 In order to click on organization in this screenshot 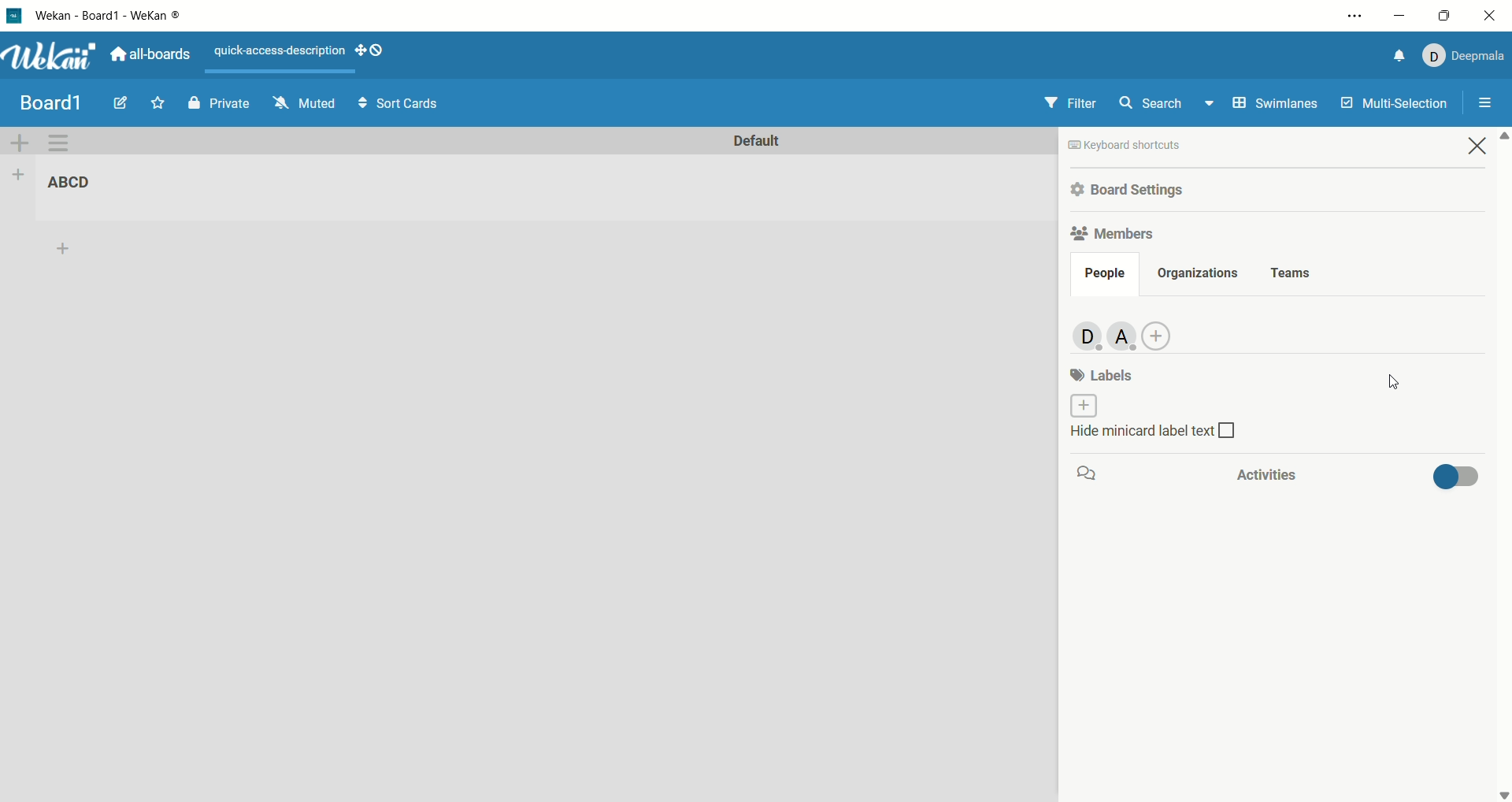, I will do `click(1195, 274)`.